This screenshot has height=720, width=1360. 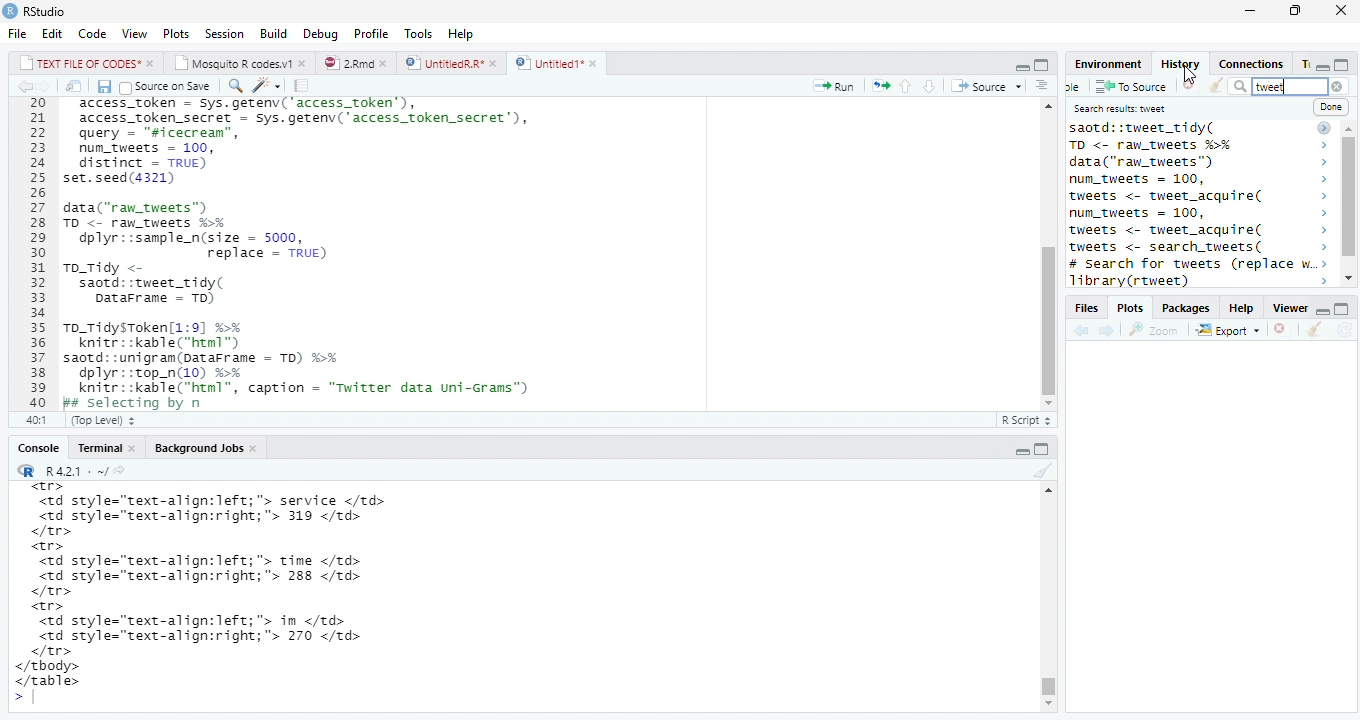 I want to click on Session, so click(x=223, y=33).